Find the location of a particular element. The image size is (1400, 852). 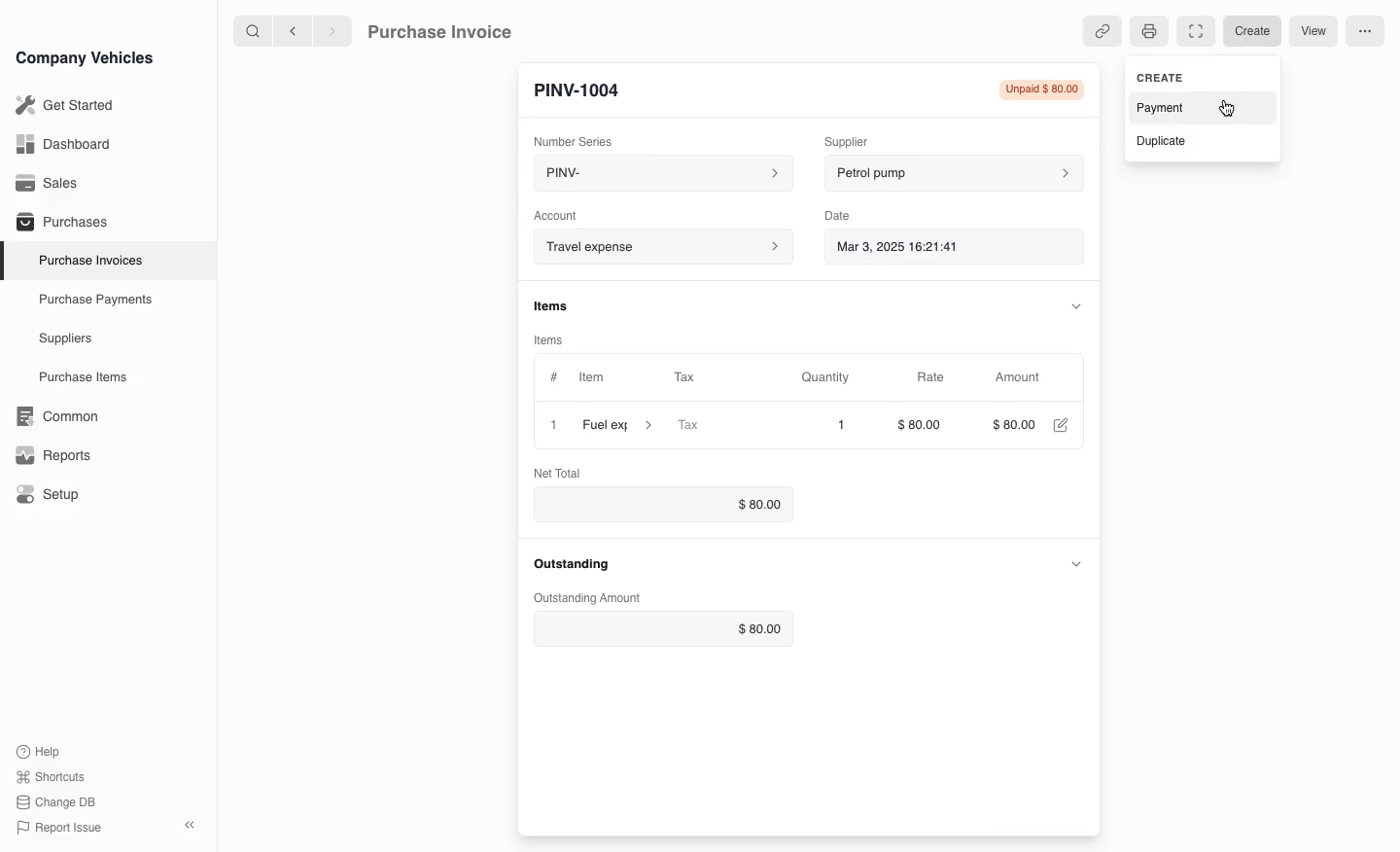

Number Series is located at coordinates (579, 139).